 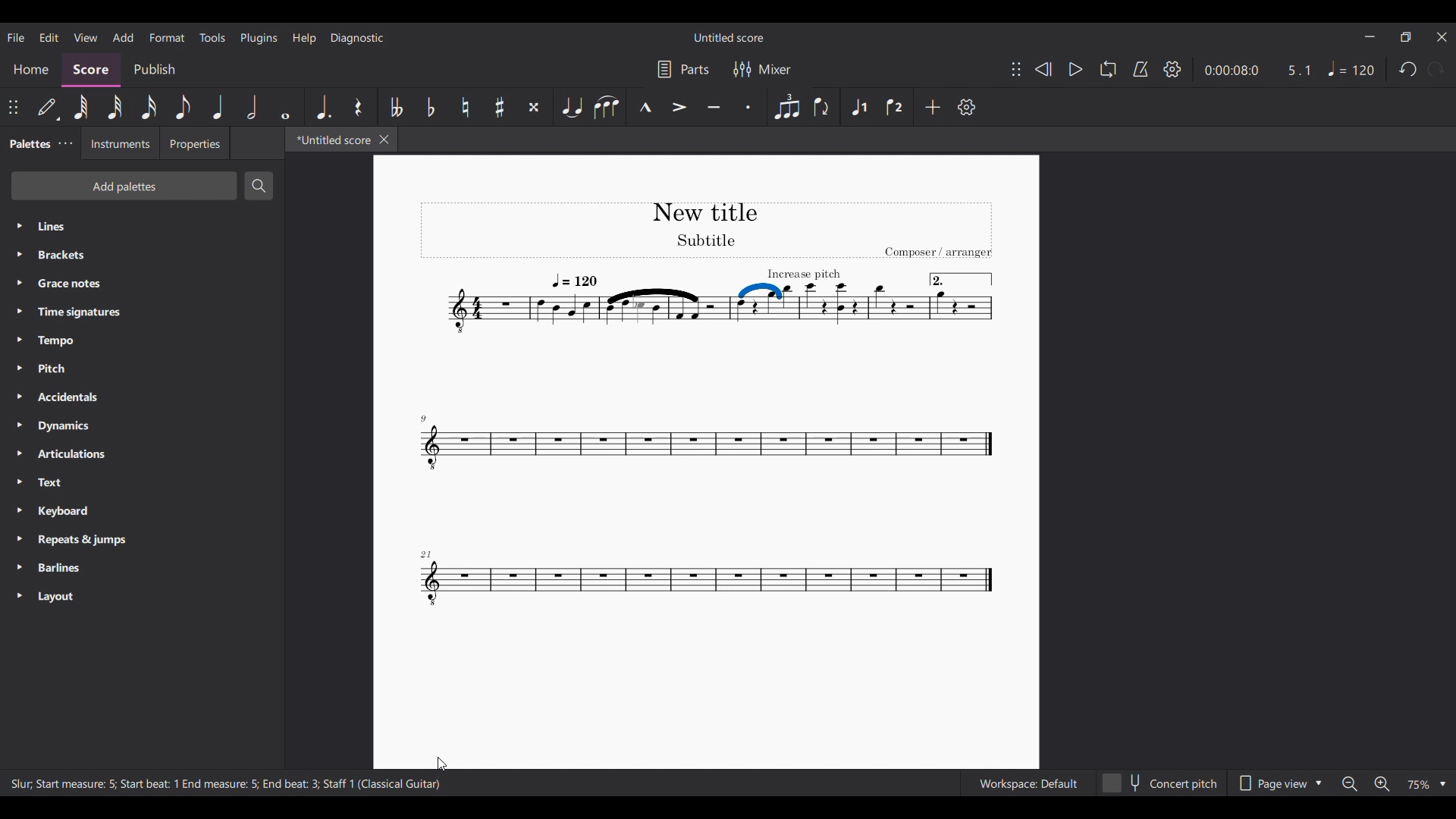 I want to click on Tie, so click(x=571, y=107).